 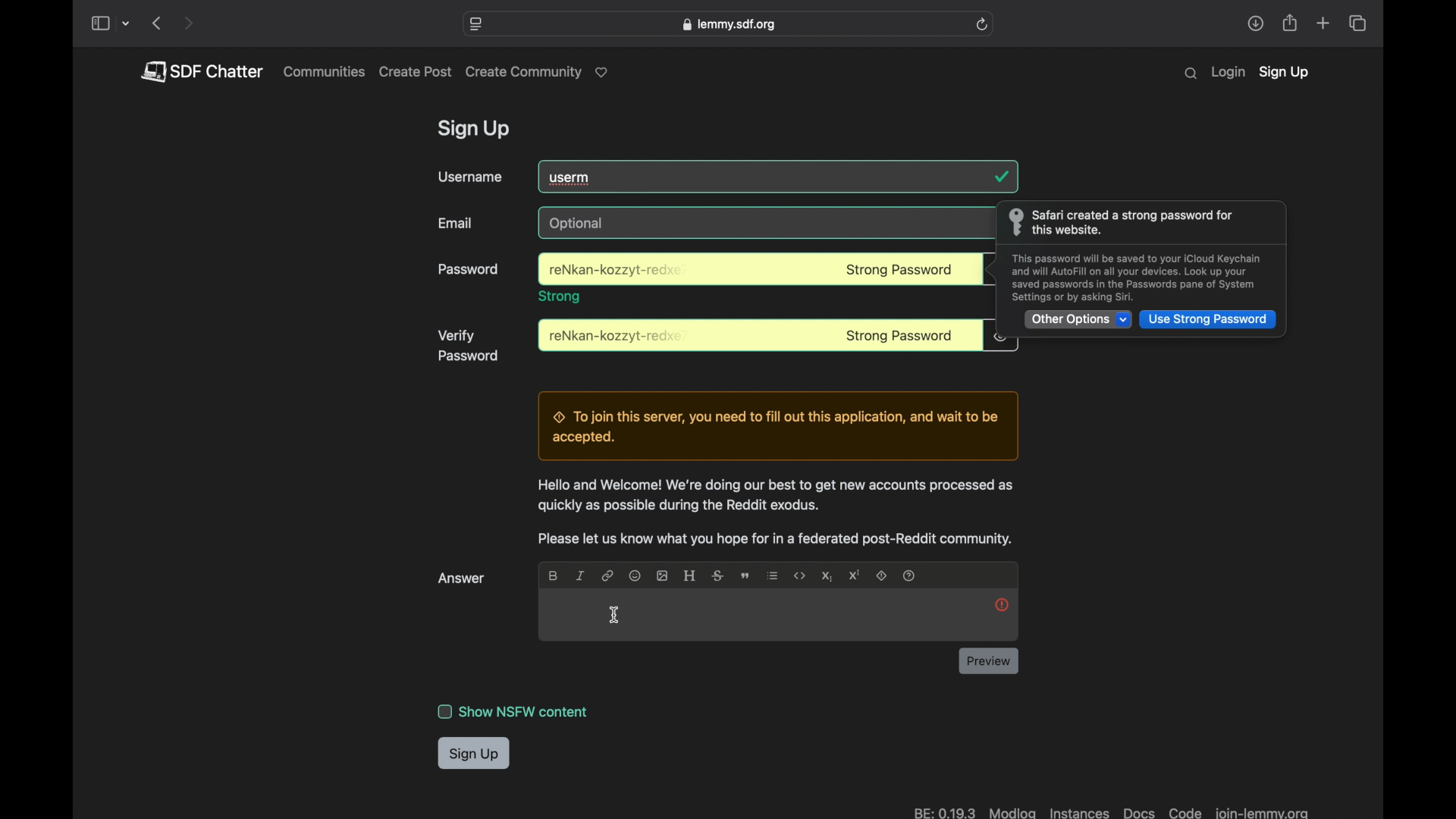 I want to click on show tab overview, so click(x=1357, y=24).